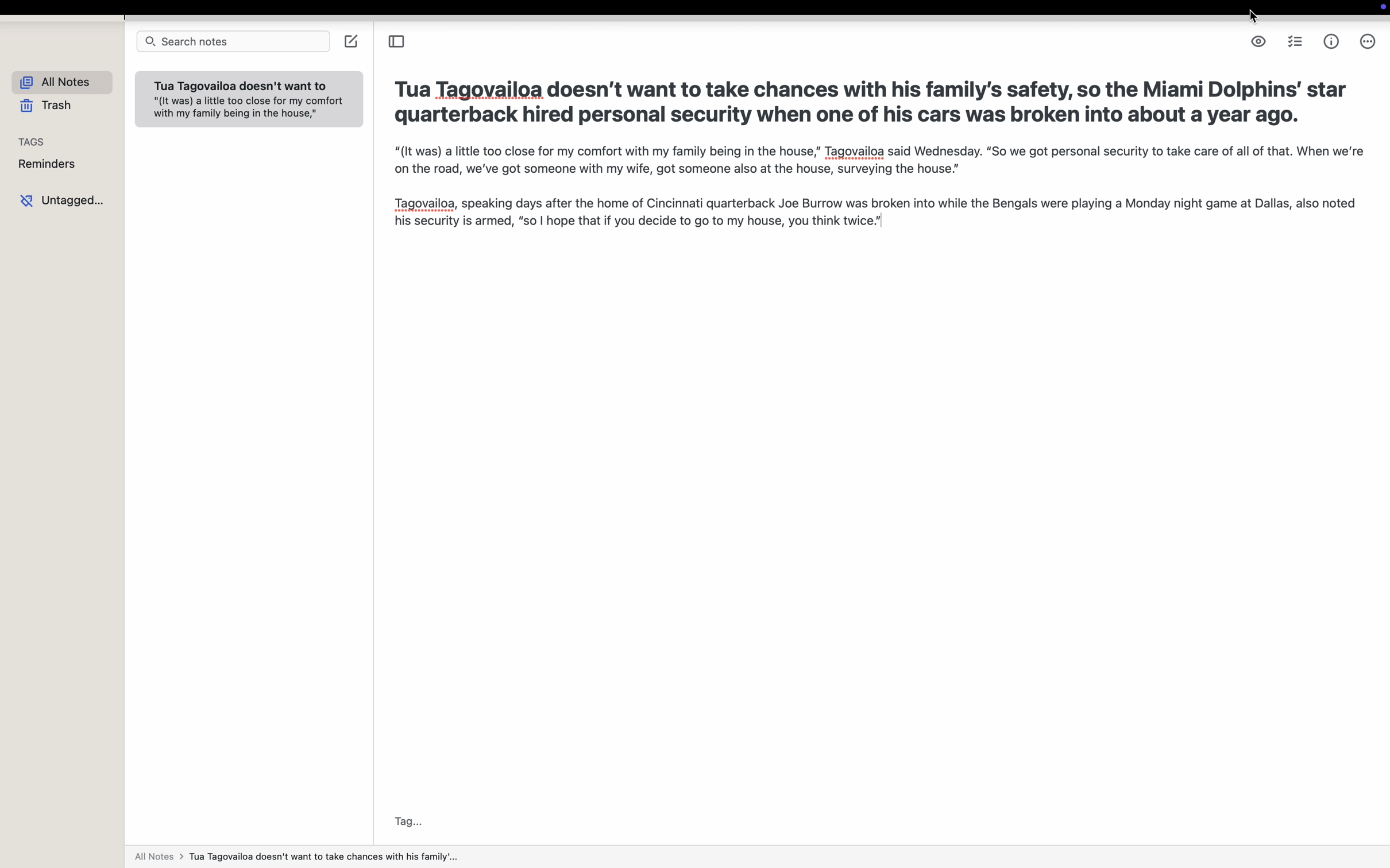 The image size is (1390, 868). Describe the element at coordinates (872, 100) in the screenshot. I see `Tua Tagovailoa doesn’t want to take chances with his family’s safety, so the Miami Dolphins’ star
quarterback hired personal security when one of his cars was broken into about a year ago.` at that location.